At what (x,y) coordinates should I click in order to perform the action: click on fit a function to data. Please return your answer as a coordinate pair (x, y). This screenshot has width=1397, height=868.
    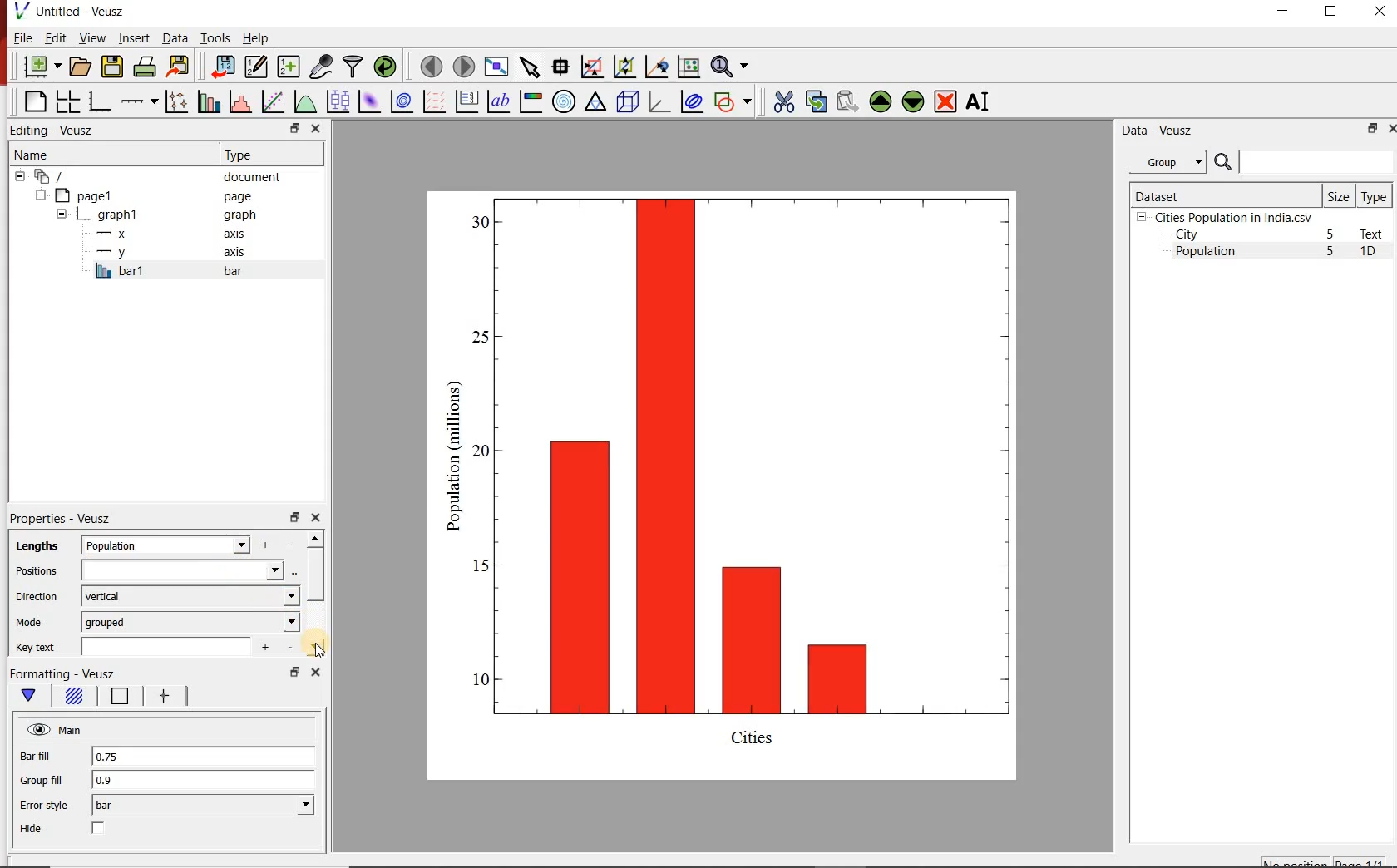
    Looking at the image, I should click on (272, 101).